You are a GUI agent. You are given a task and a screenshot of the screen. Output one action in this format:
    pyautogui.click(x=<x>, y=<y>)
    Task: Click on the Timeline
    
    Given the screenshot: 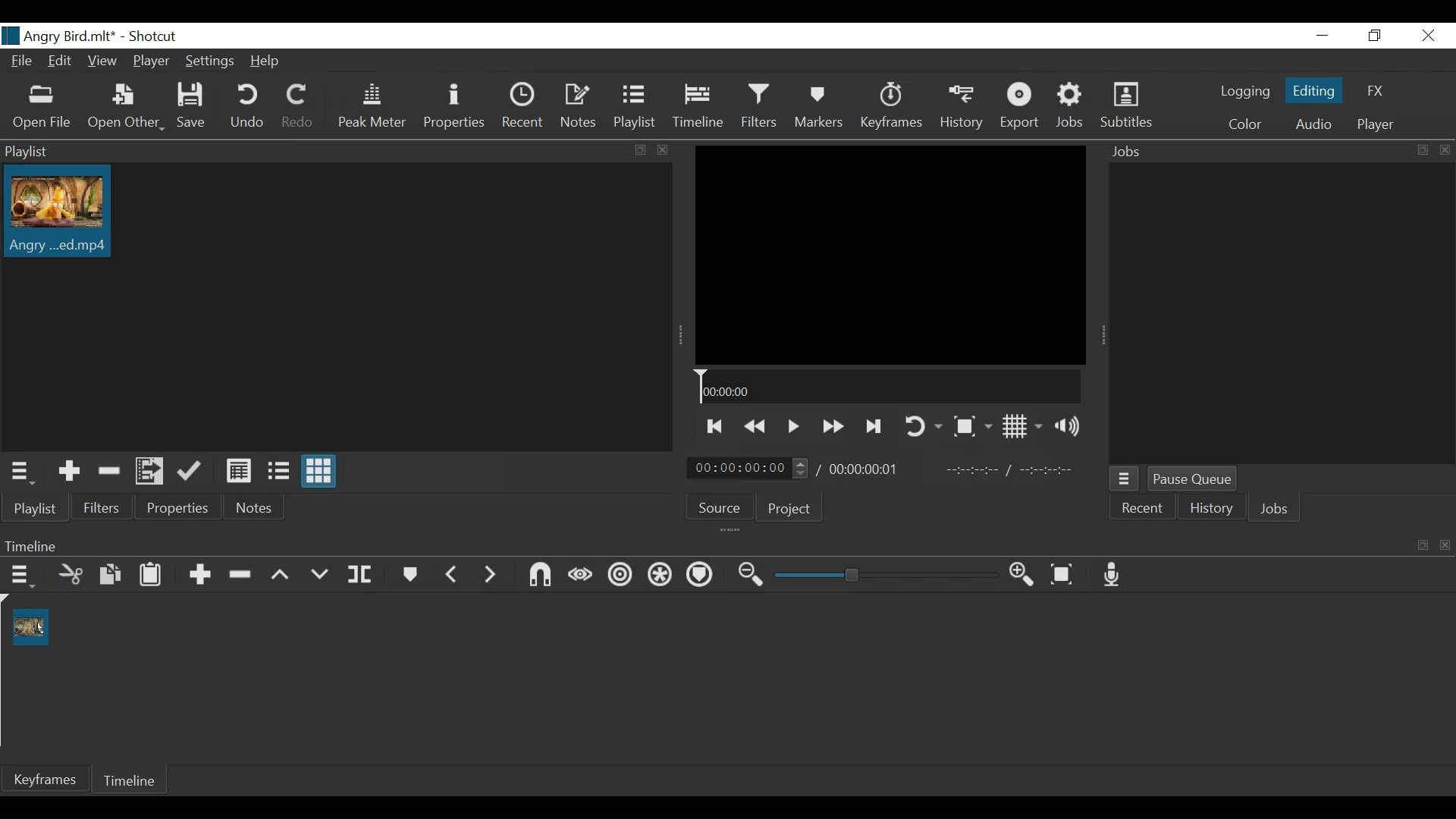 What is the action you would take?
    pyautogui.click(x=889, y=386)
    